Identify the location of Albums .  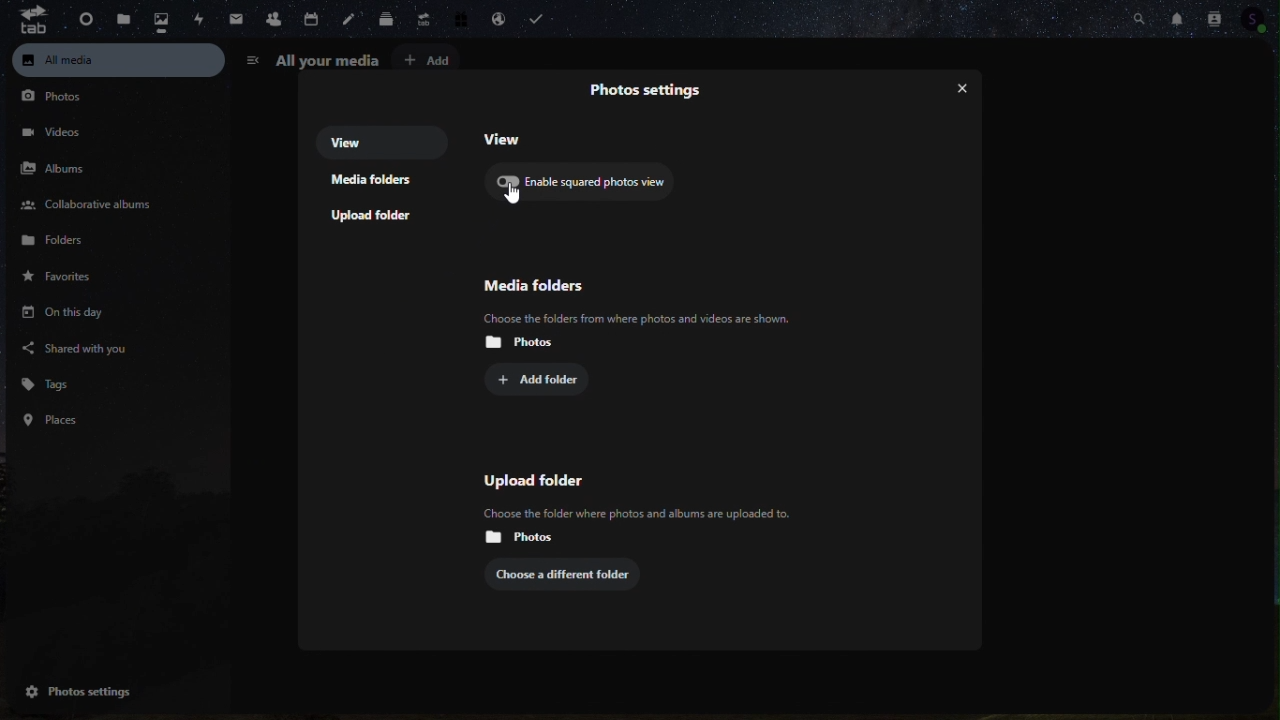
(63, 168).